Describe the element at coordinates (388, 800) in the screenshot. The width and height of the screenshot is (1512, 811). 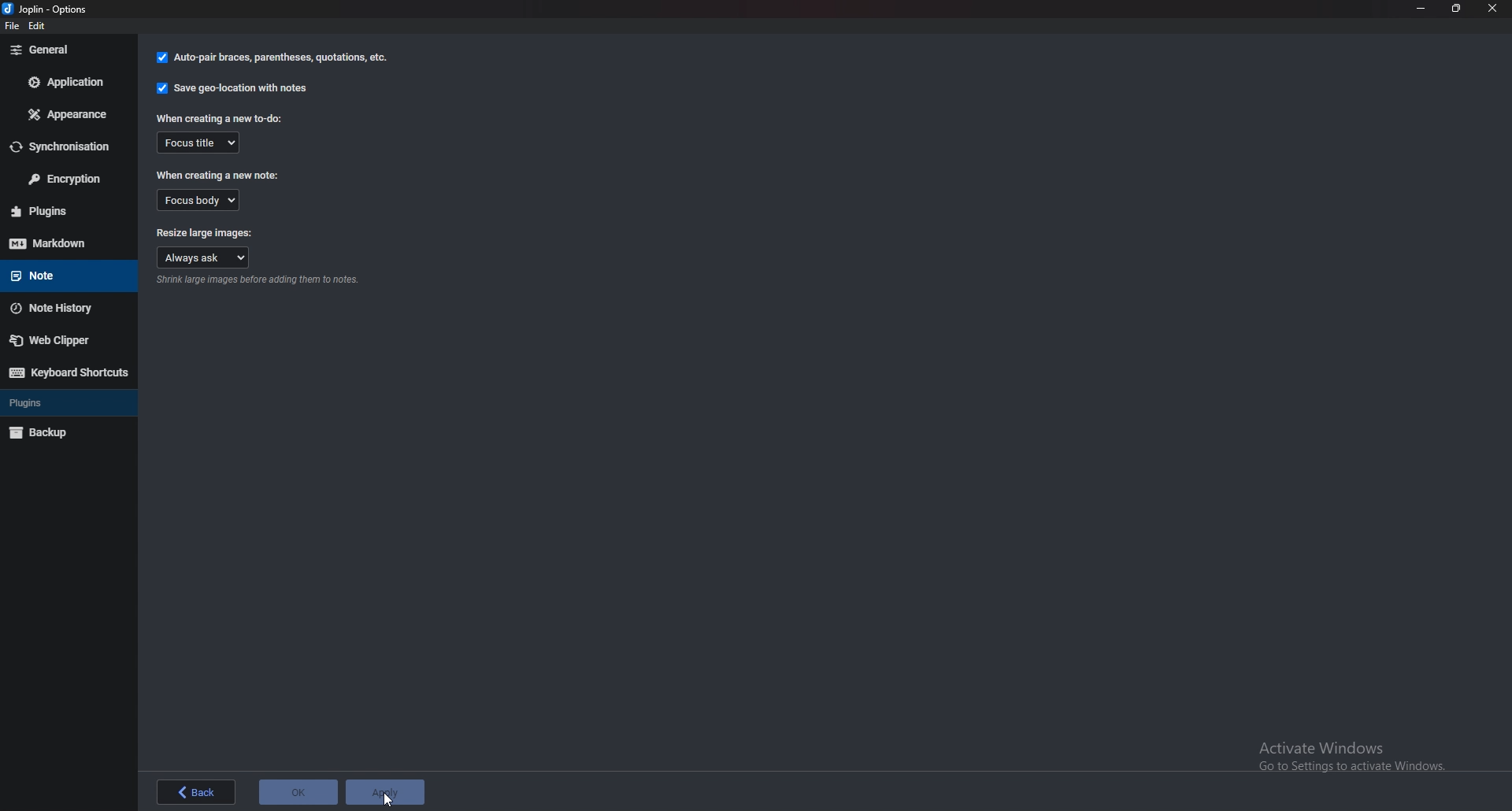
I see `cursor` at that location.